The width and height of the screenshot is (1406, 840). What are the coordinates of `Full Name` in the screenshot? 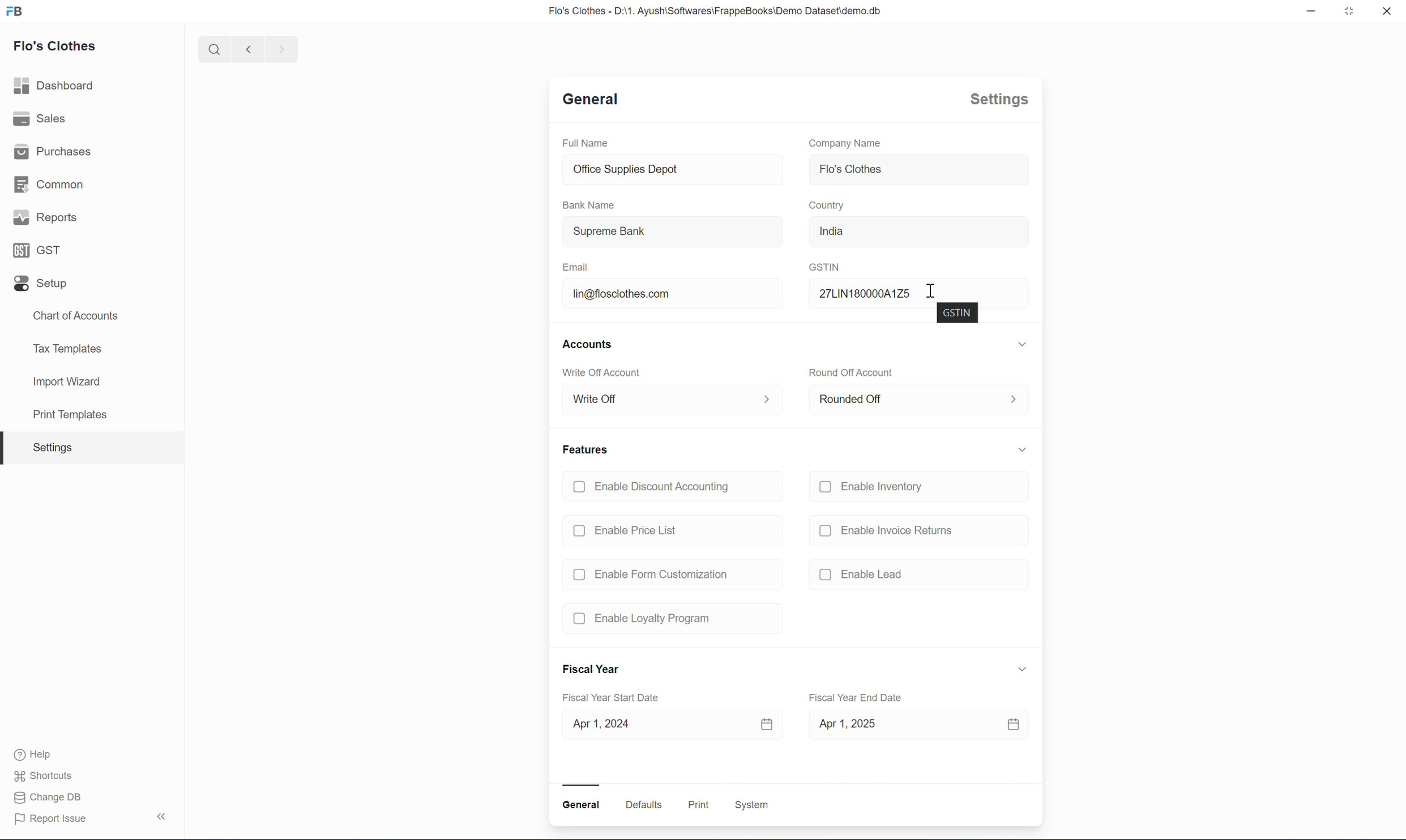 It's located at (584, 143).